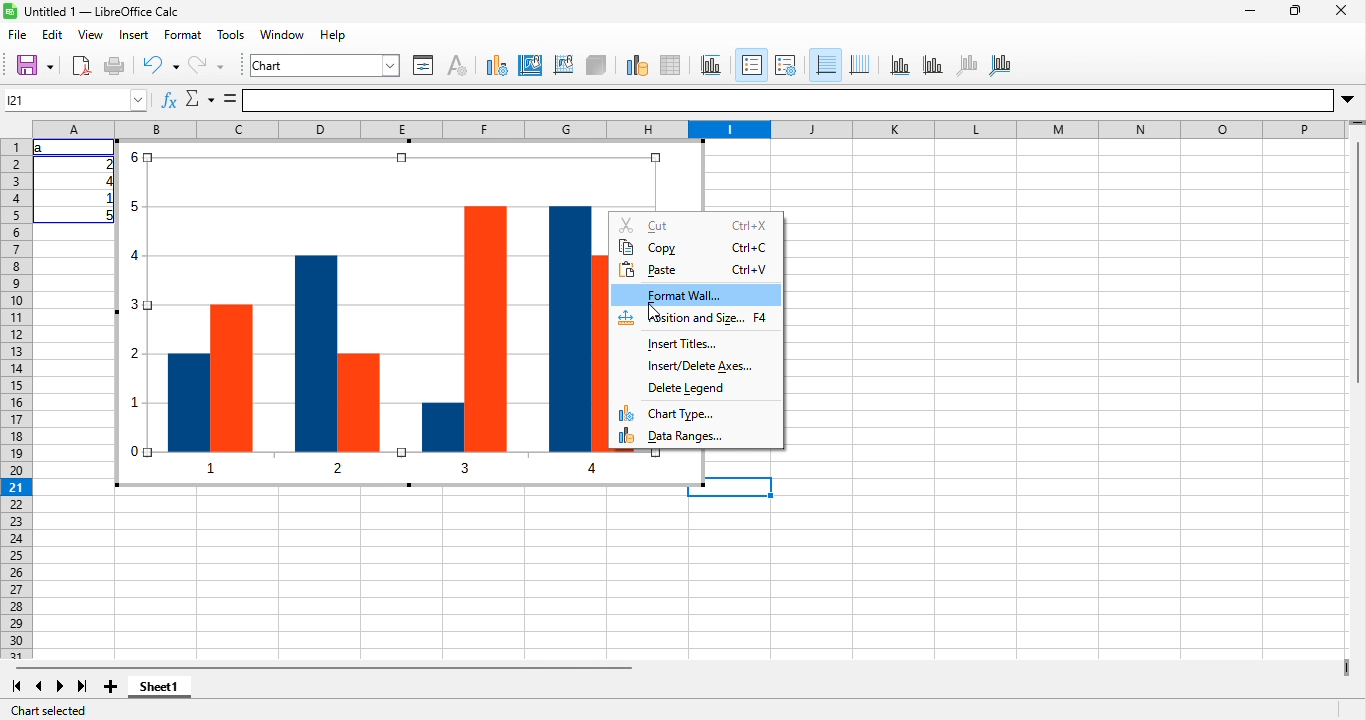 The width and height of the screenshot is (1366, 720). What do you see at coordinates (283, 34) in the screenshot?
I see `window` at bounding box center [283, 34].